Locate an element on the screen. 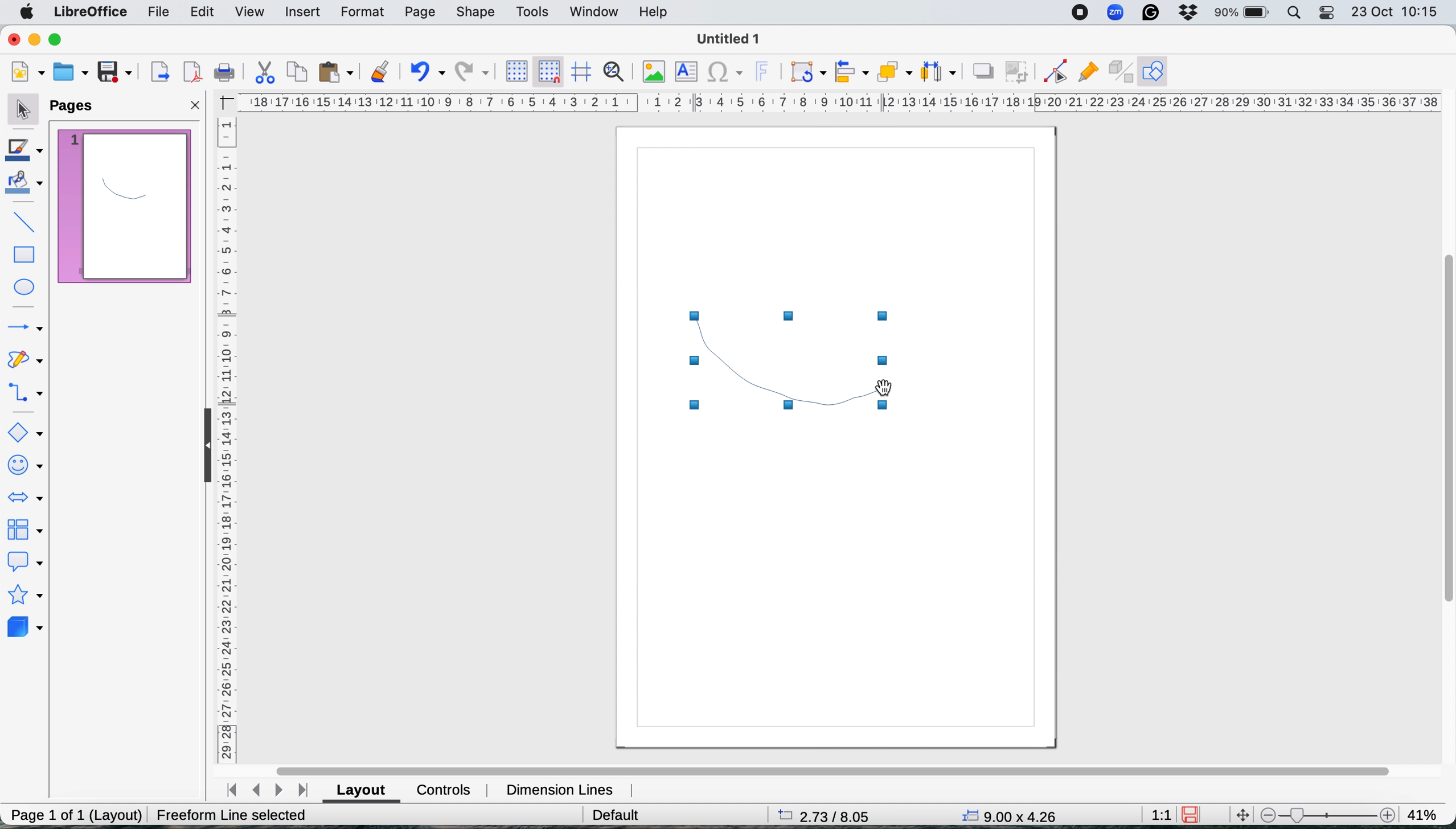  zoom scale is located at coordinates (1330, 813).